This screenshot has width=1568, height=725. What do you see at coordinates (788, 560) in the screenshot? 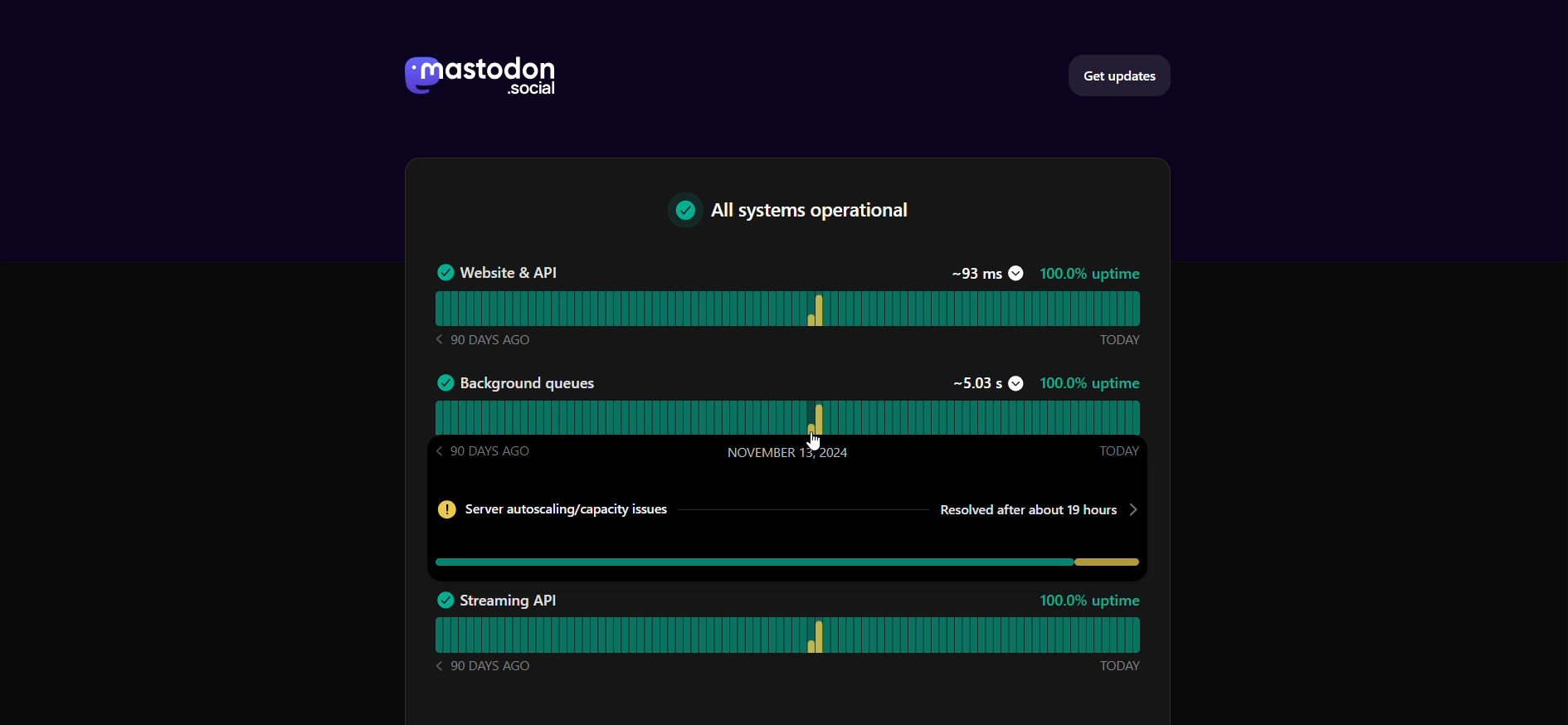
I see `issues in background queues` at bounding box center [788, 560].